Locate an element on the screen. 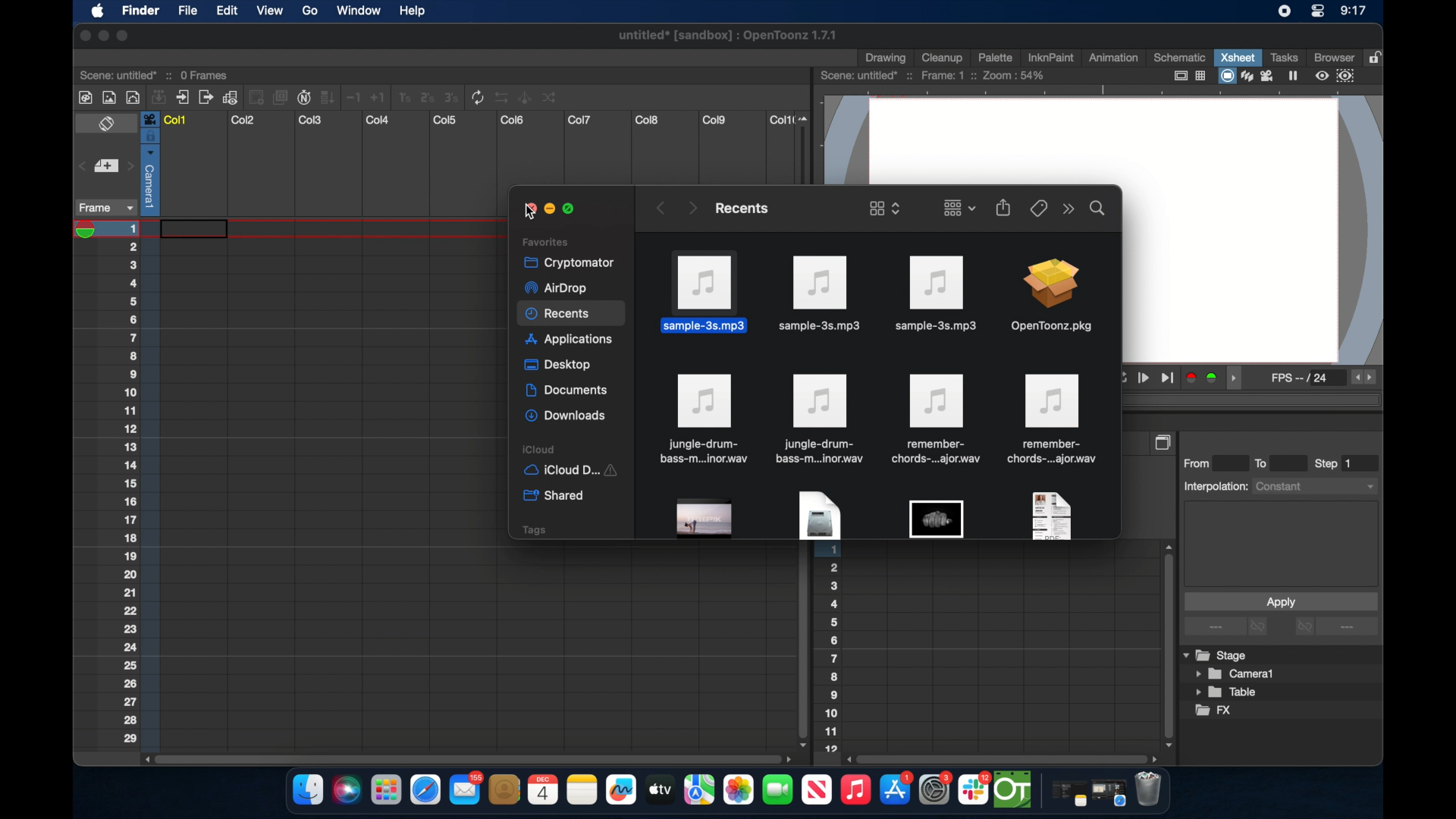 This screenshot has height=819, width=1456. minimize is located at coordinates (548, 209).